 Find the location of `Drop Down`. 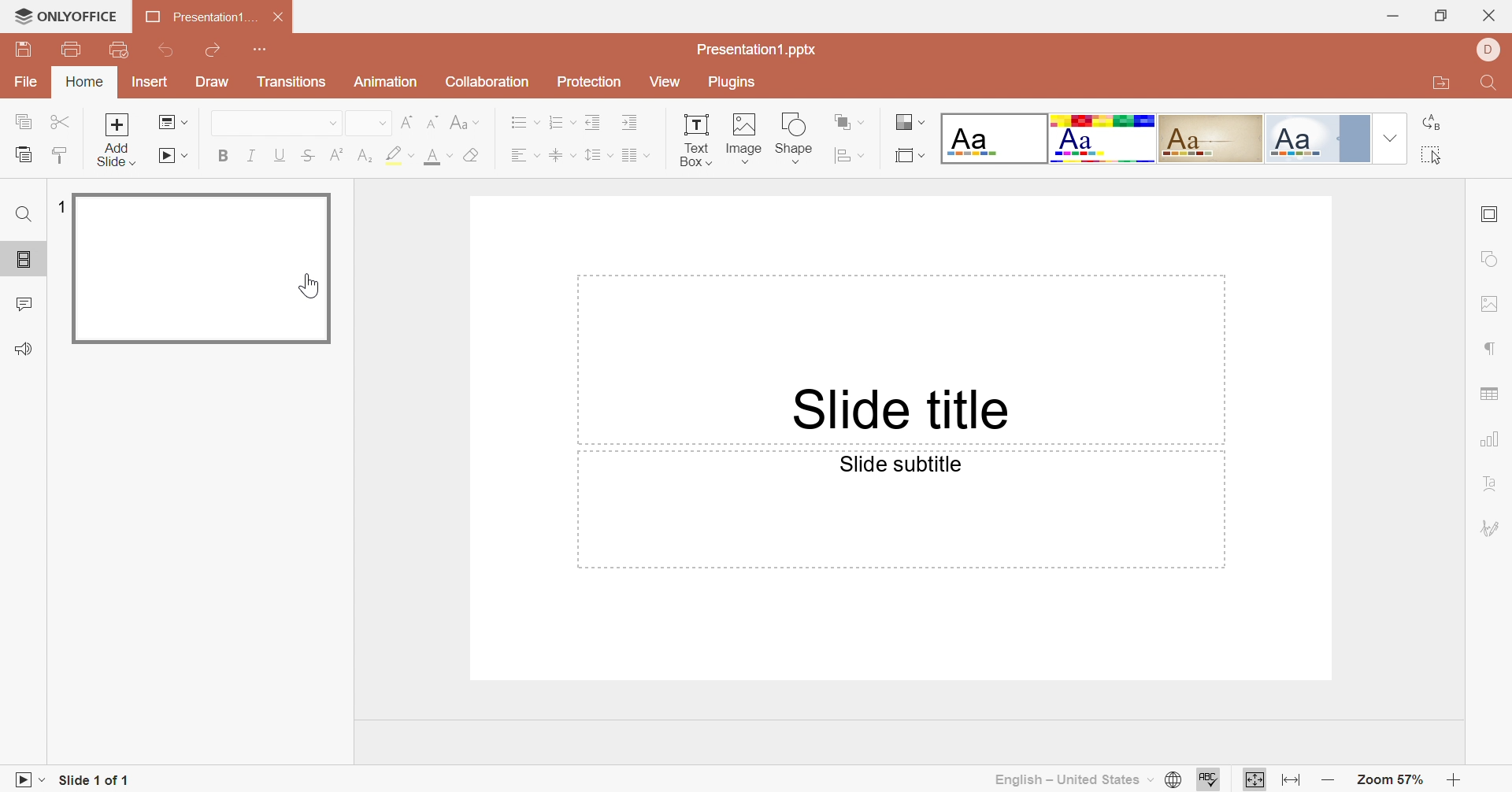

Drop Down is located at coordinates (46, 779).